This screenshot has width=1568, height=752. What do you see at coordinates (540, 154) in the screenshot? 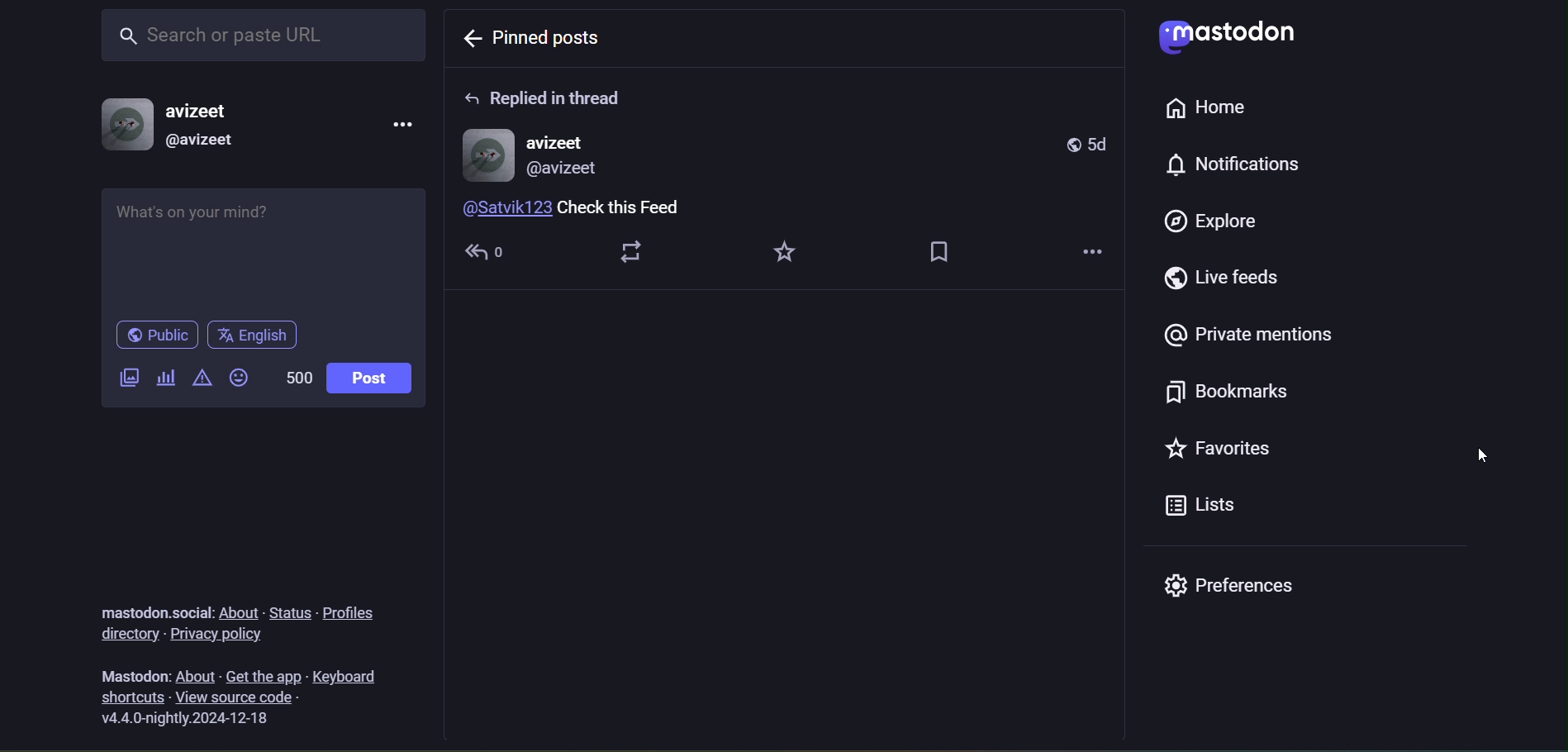
I see `profile information` at bounding box center [540, 154].